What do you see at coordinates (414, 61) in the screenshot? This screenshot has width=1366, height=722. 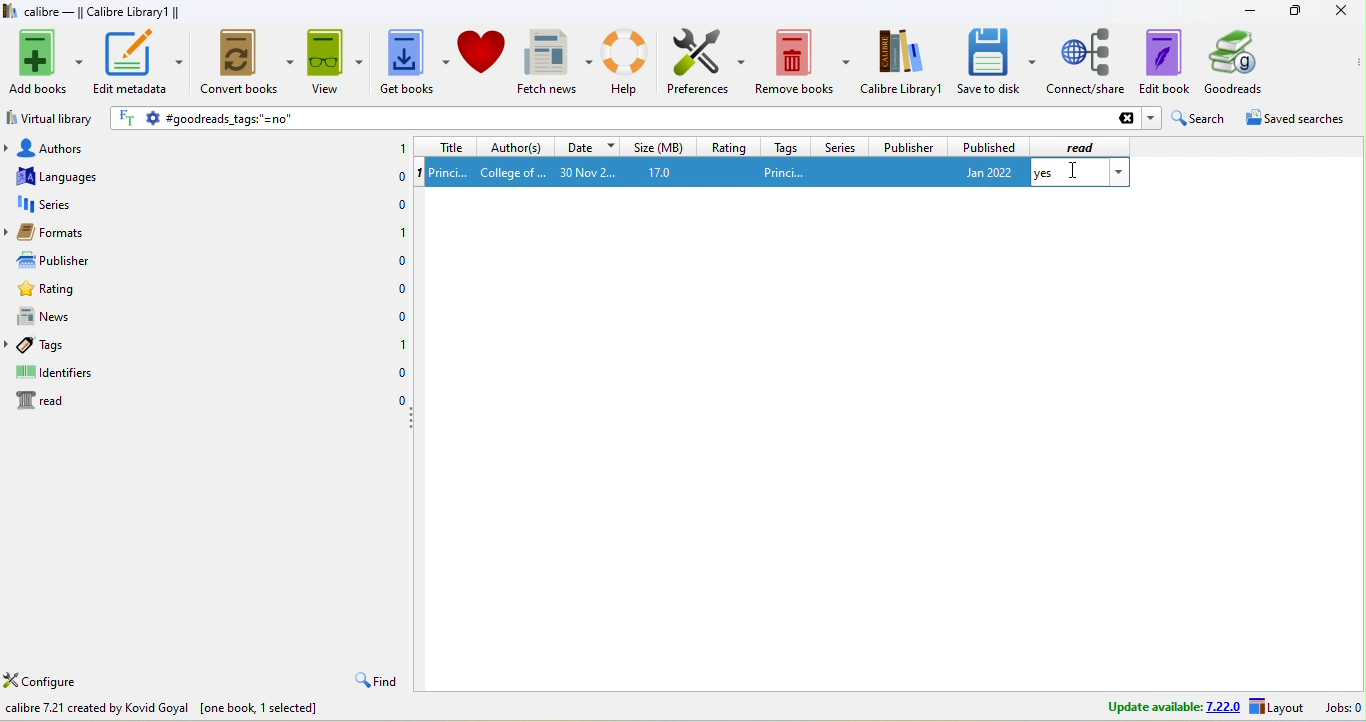 I see `get books` at bounding box center [414, 61].